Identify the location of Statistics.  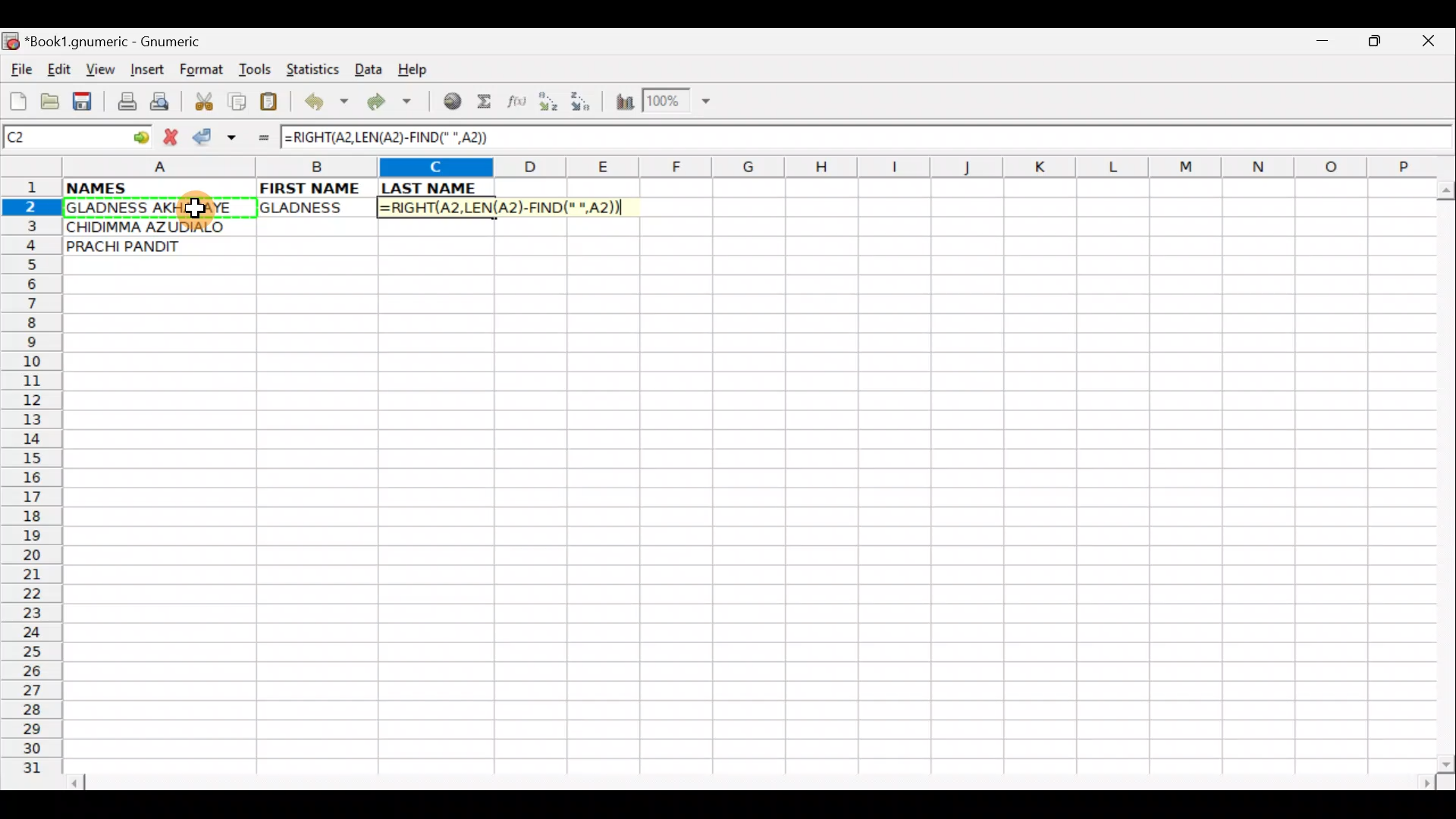
(317, 68).